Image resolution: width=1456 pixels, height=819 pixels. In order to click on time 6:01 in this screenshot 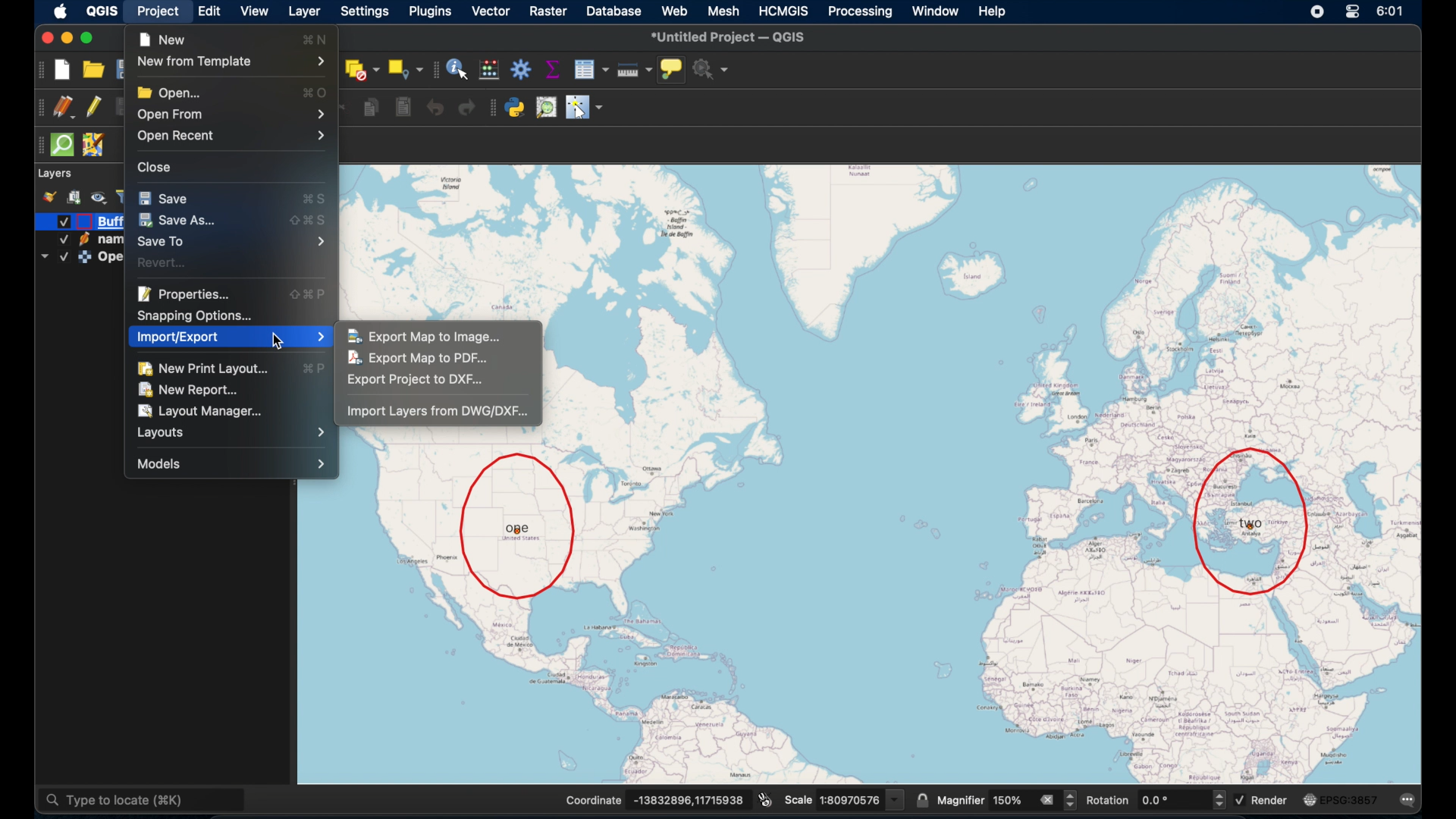, I will do `click(1389, 11)`.